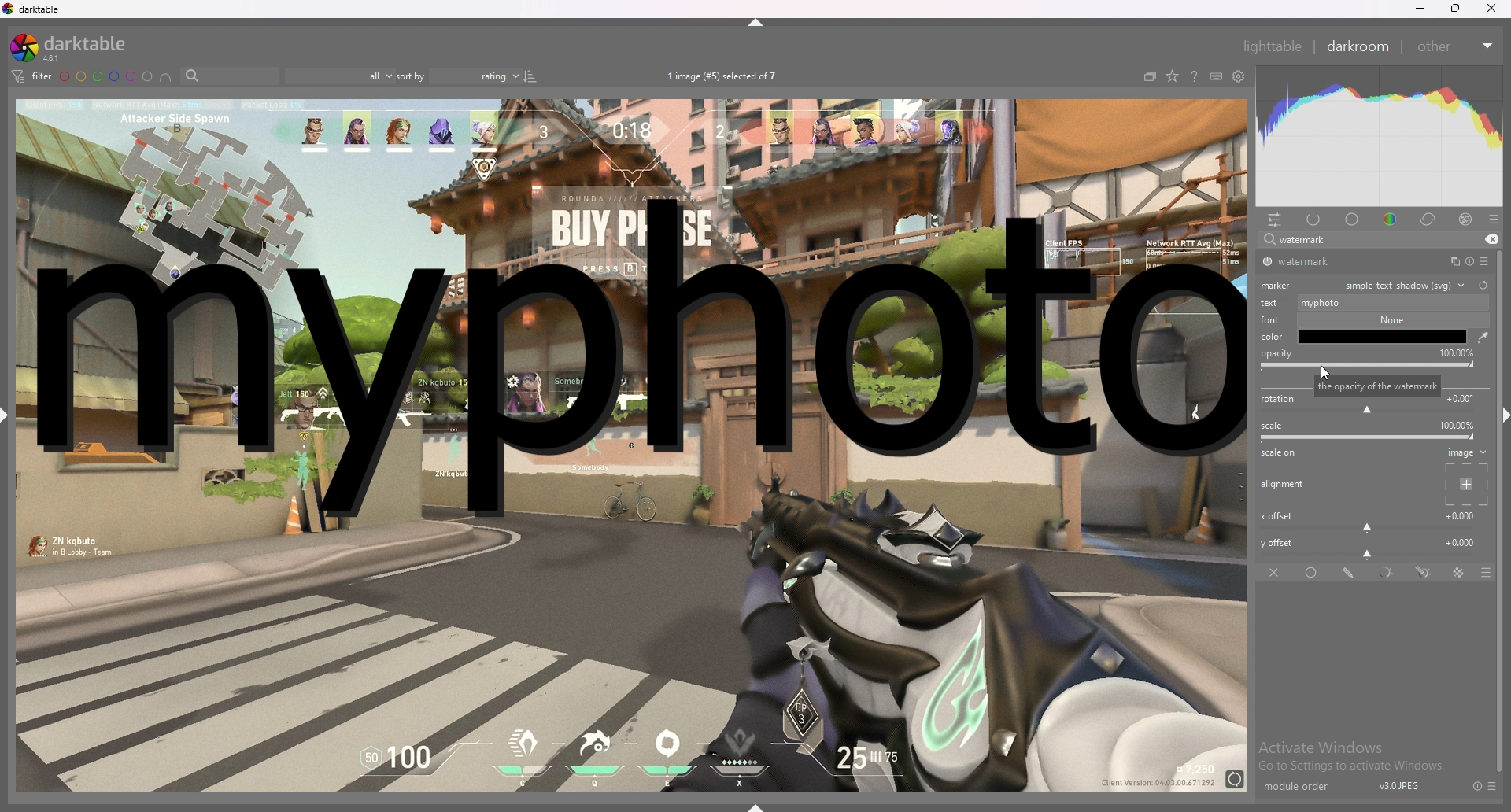 The height and width of the screenshot is (812, 1511). Describe the element at coordinates (30, 76) in the screenshot. I see `filter` at that location.